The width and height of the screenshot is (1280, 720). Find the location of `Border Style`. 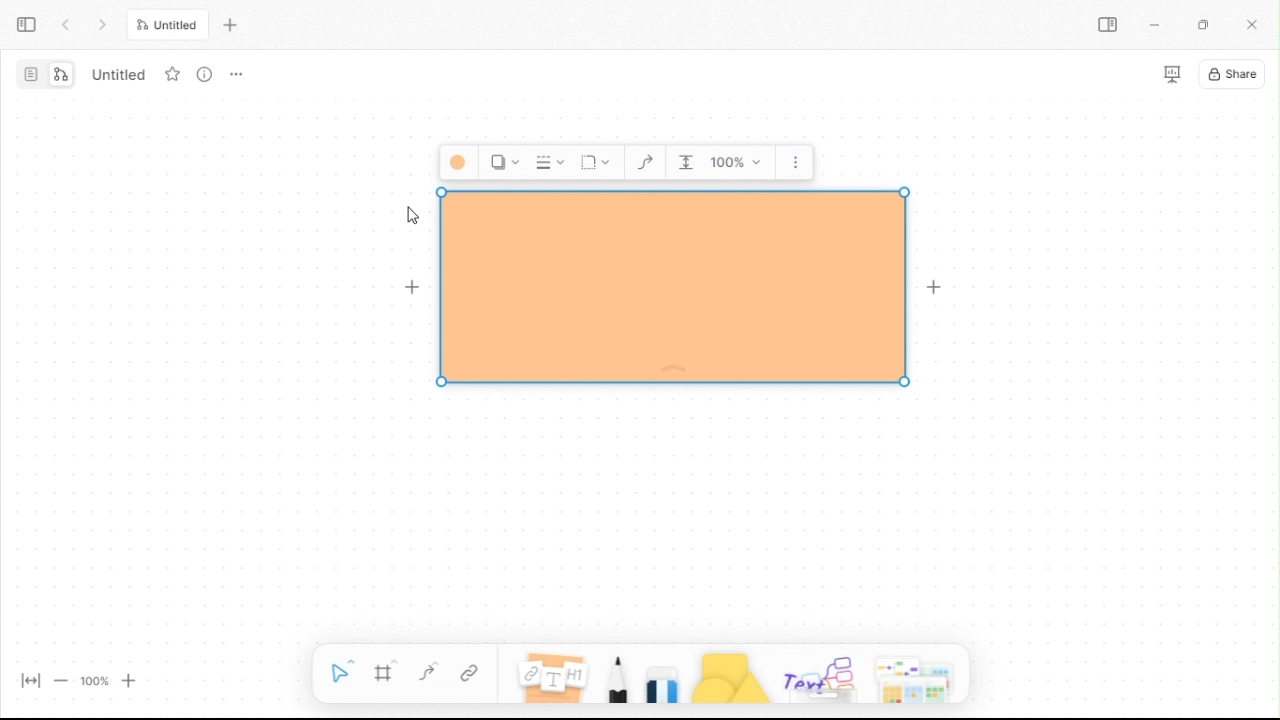

Border Style is located at coordinates (548, 163).